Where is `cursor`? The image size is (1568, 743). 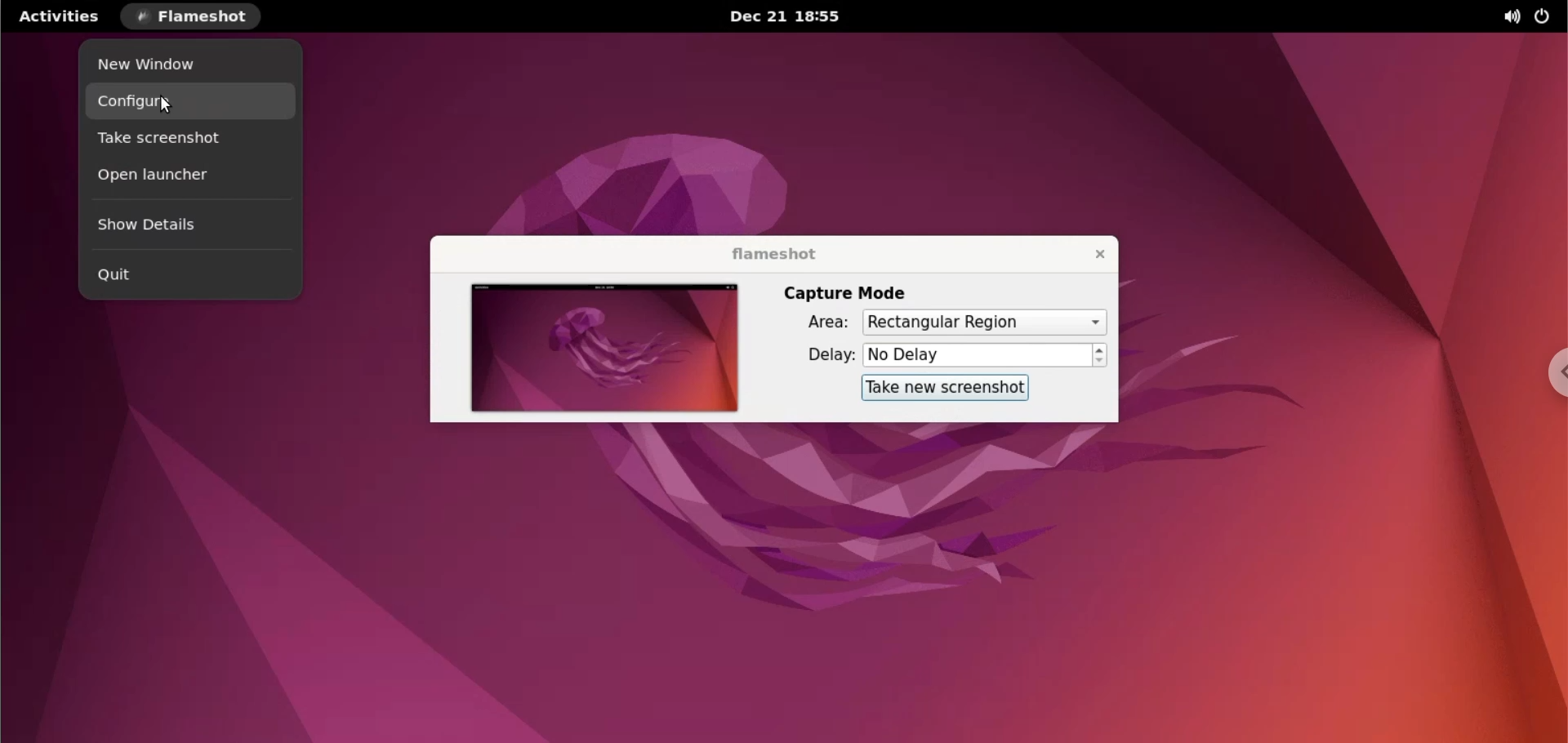
cursor is located at coordinates (171, 105).